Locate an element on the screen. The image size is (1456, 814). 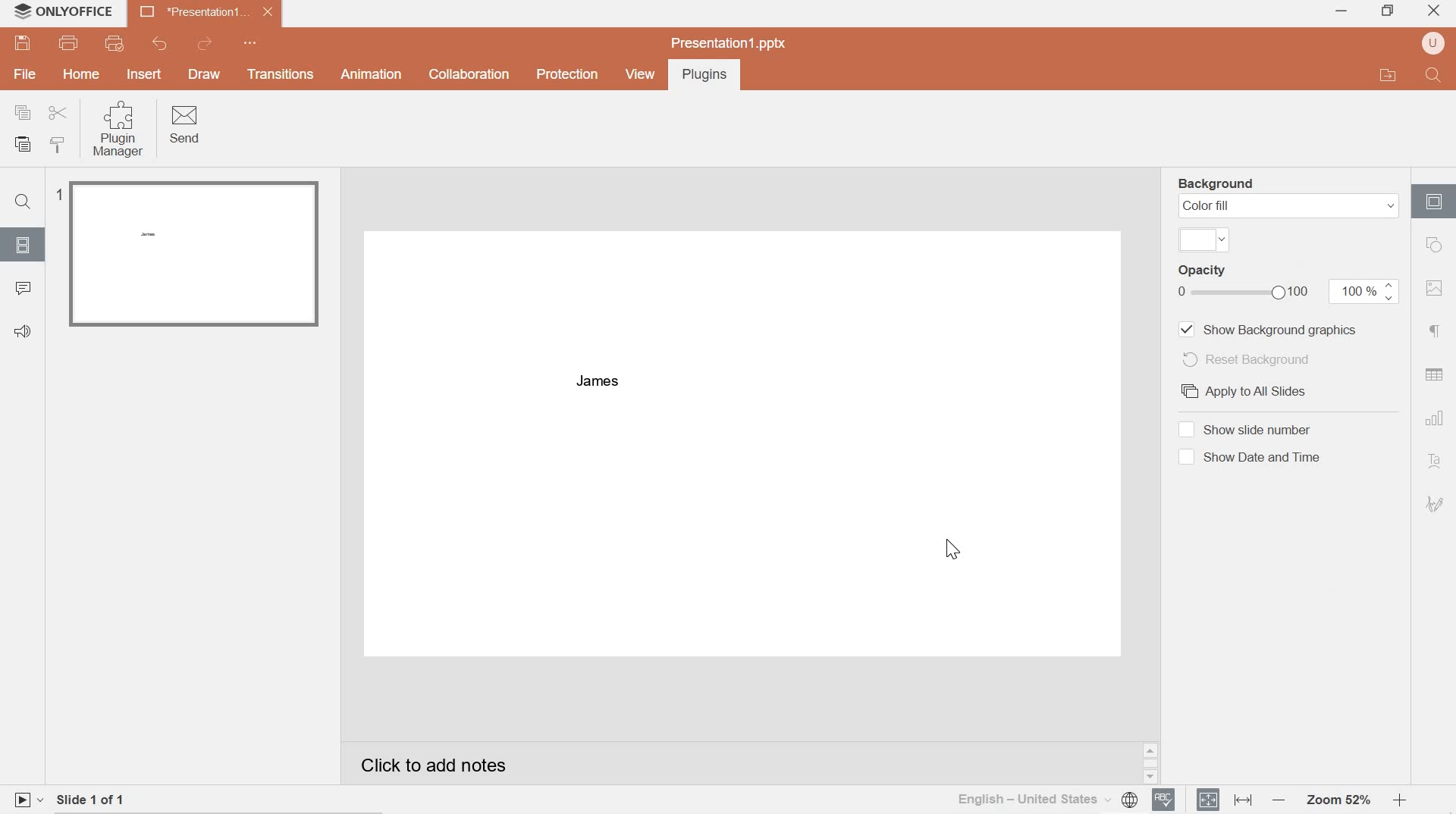
input background color is located at coordinates (1289, 205).